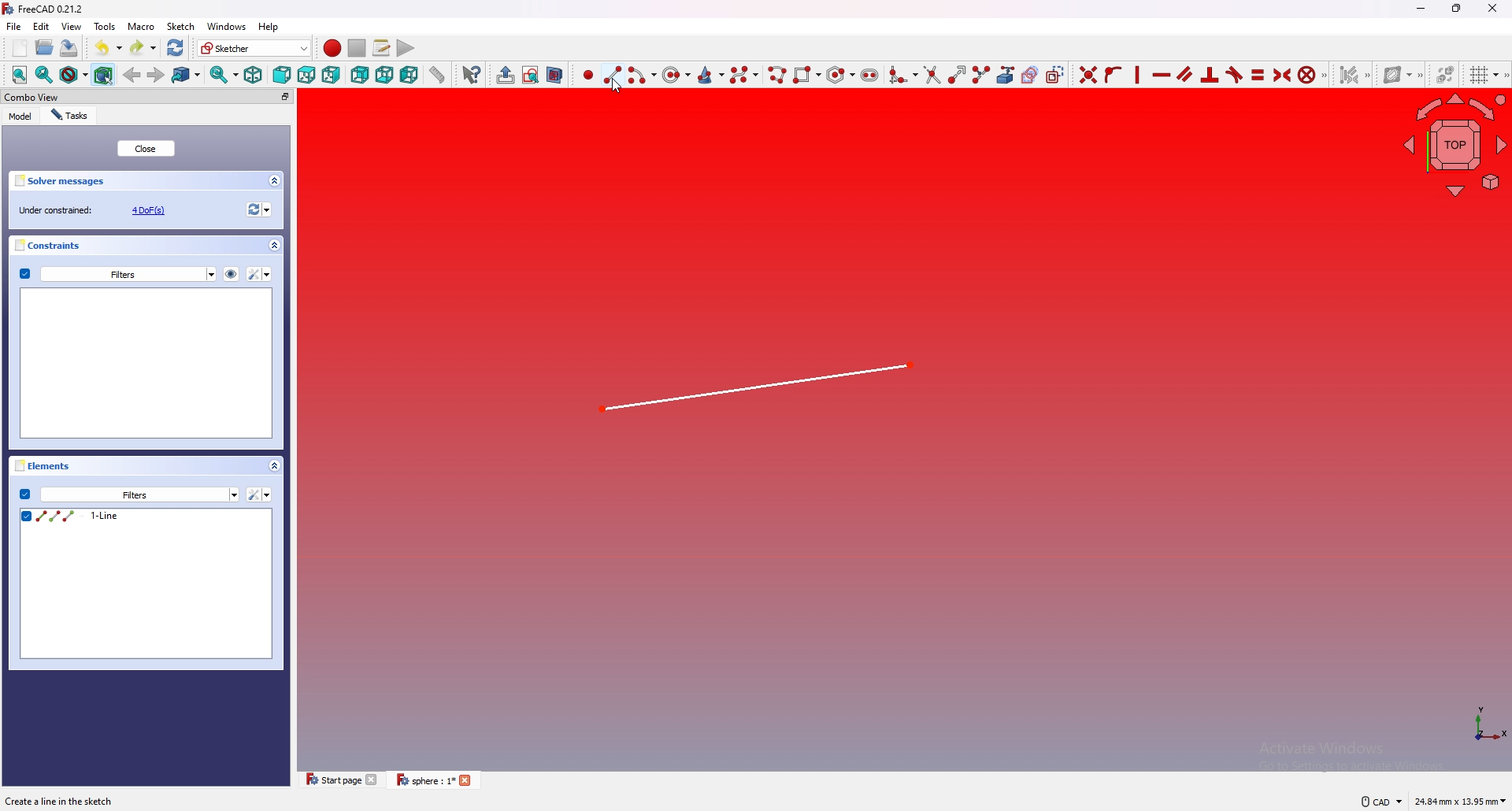  What do you see at coordinates (46, 9) in the screenshot?
I see `FreeCAD 0.21.2` at bounding box center [46, 9].